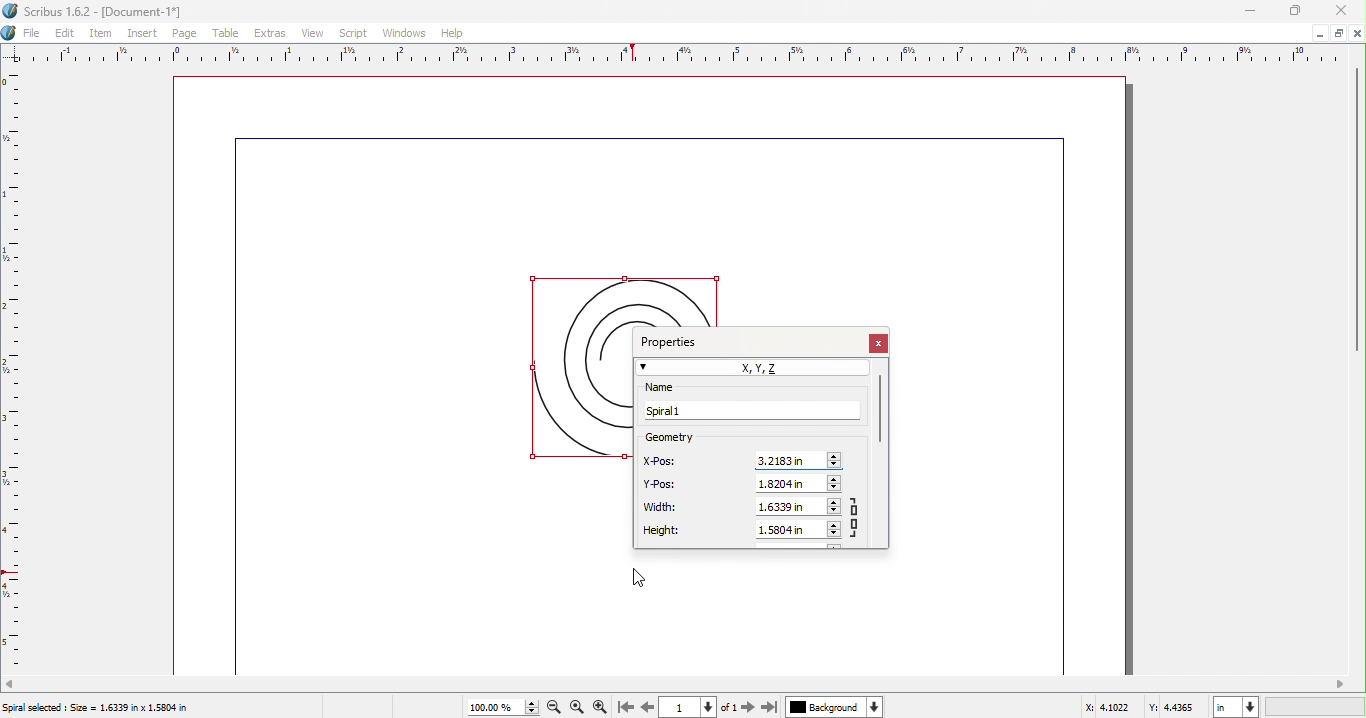  Describe the element at coordinates (316, 33) in the screenshot. I see `View` at that location.